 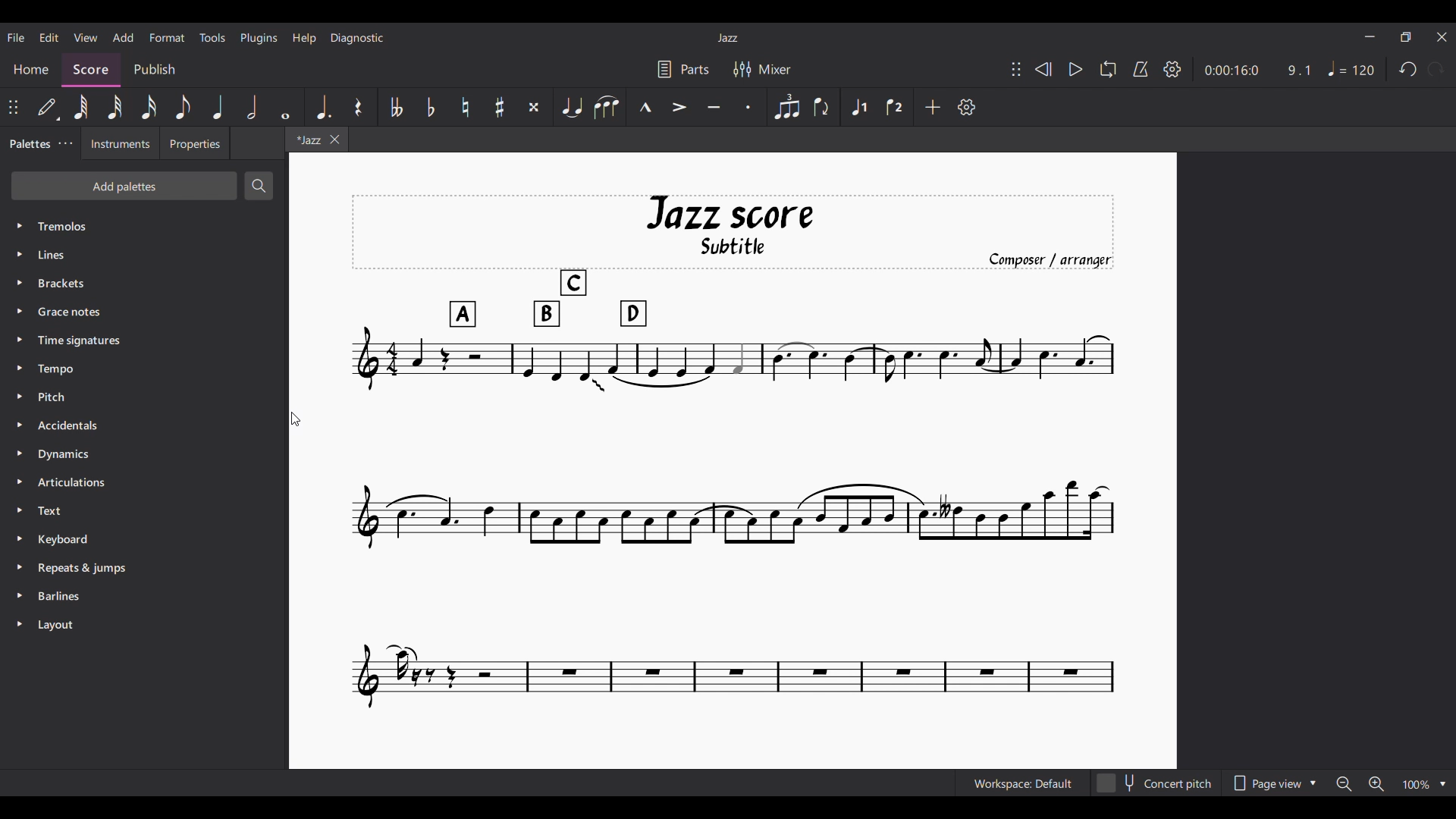 I want to click on Keyboard, so click(x=145, y=540).